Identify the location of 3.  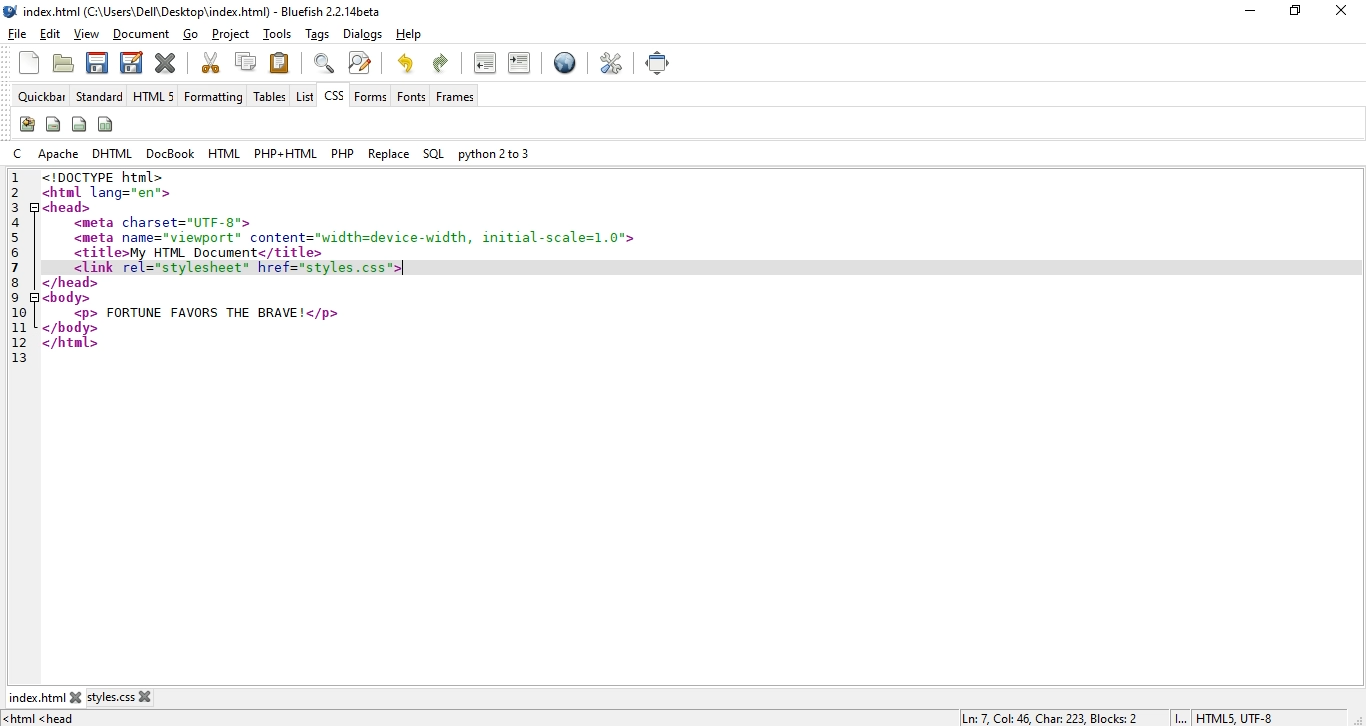
(18, 205).